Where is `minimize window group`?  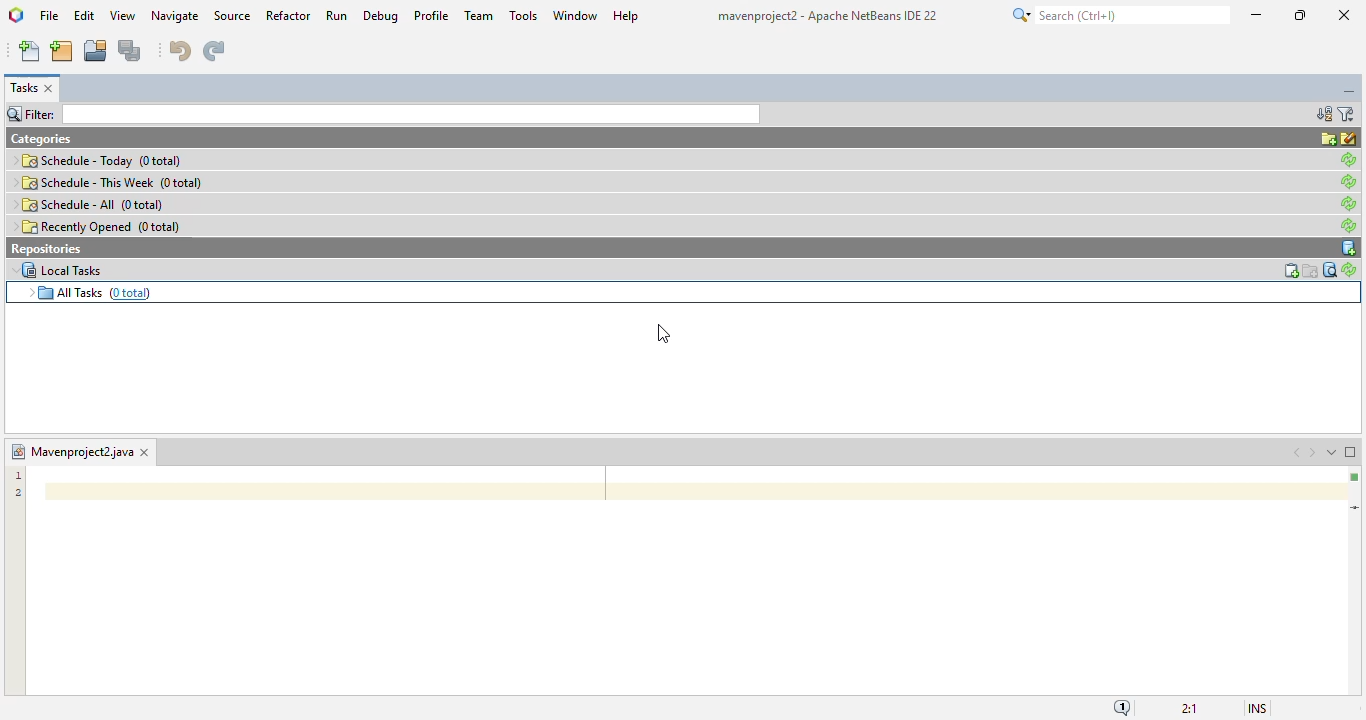 minimize window group is located at coordinates (1350, 93).